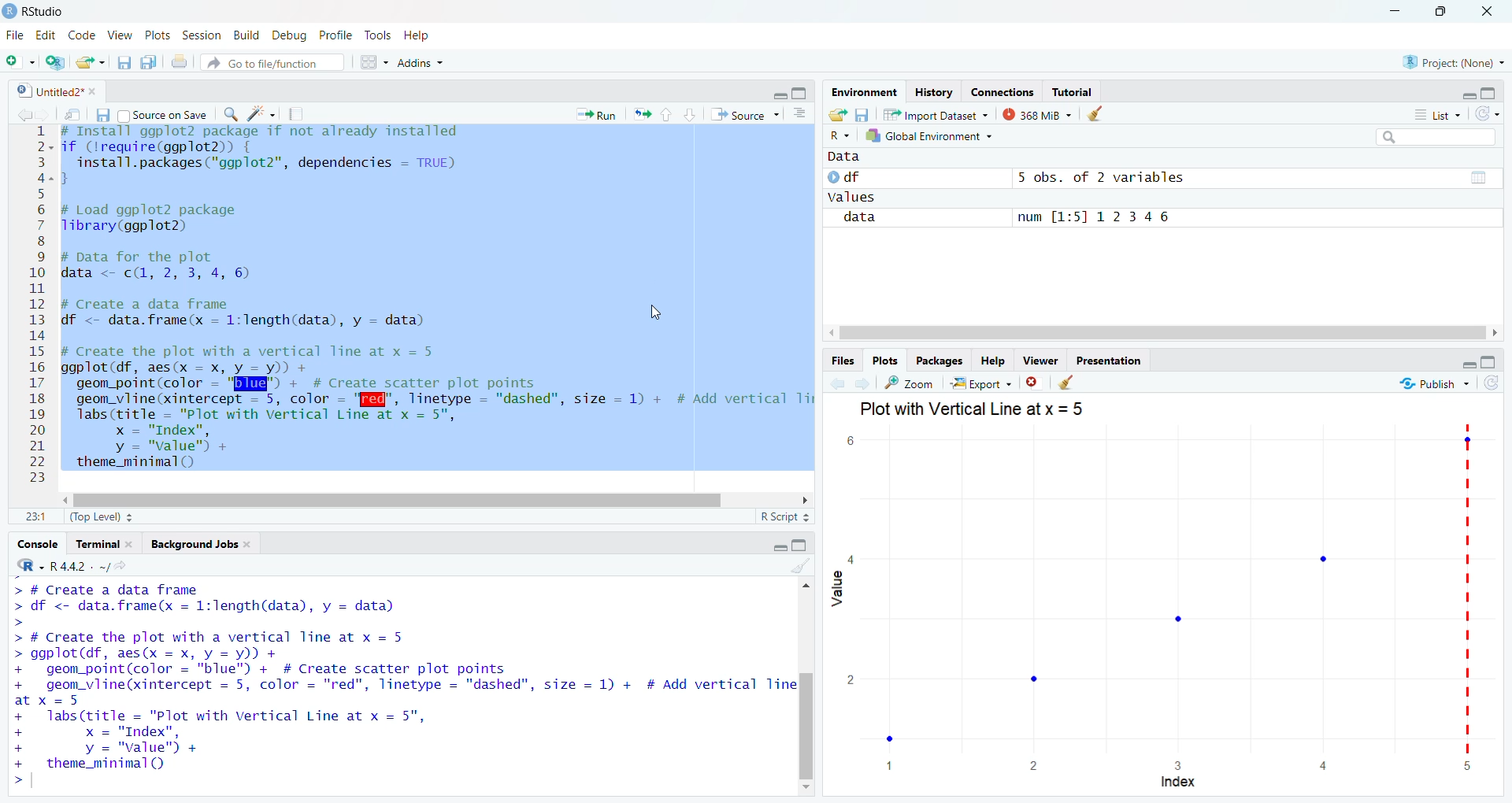 The image size is (1512, 803). What do you see at coordinates (1076, 91) in the screenshot?
I see `Tutorial` at bounding box center [1076, 91].